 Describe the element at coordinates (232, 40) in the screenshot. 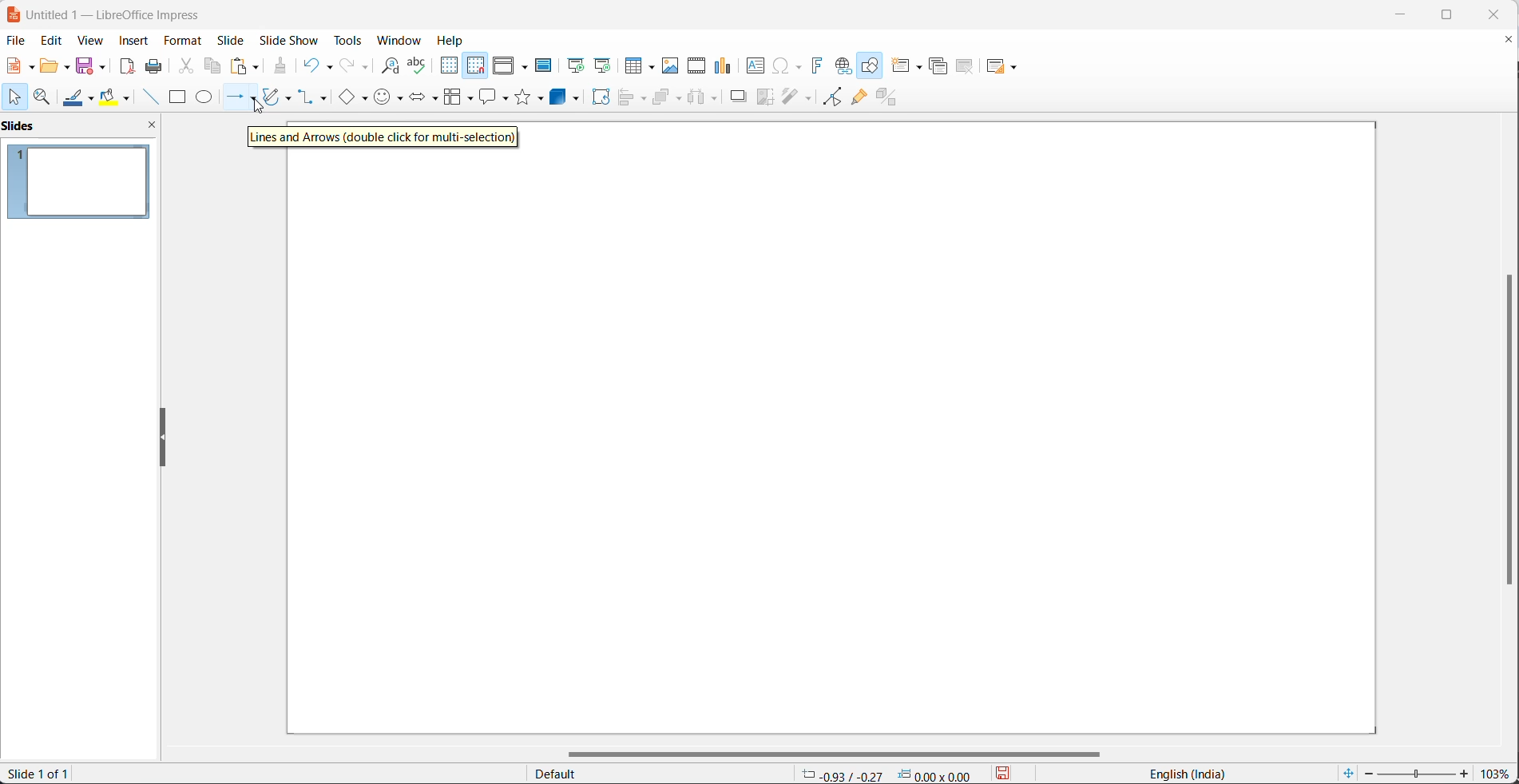

I see `slide` at that location.